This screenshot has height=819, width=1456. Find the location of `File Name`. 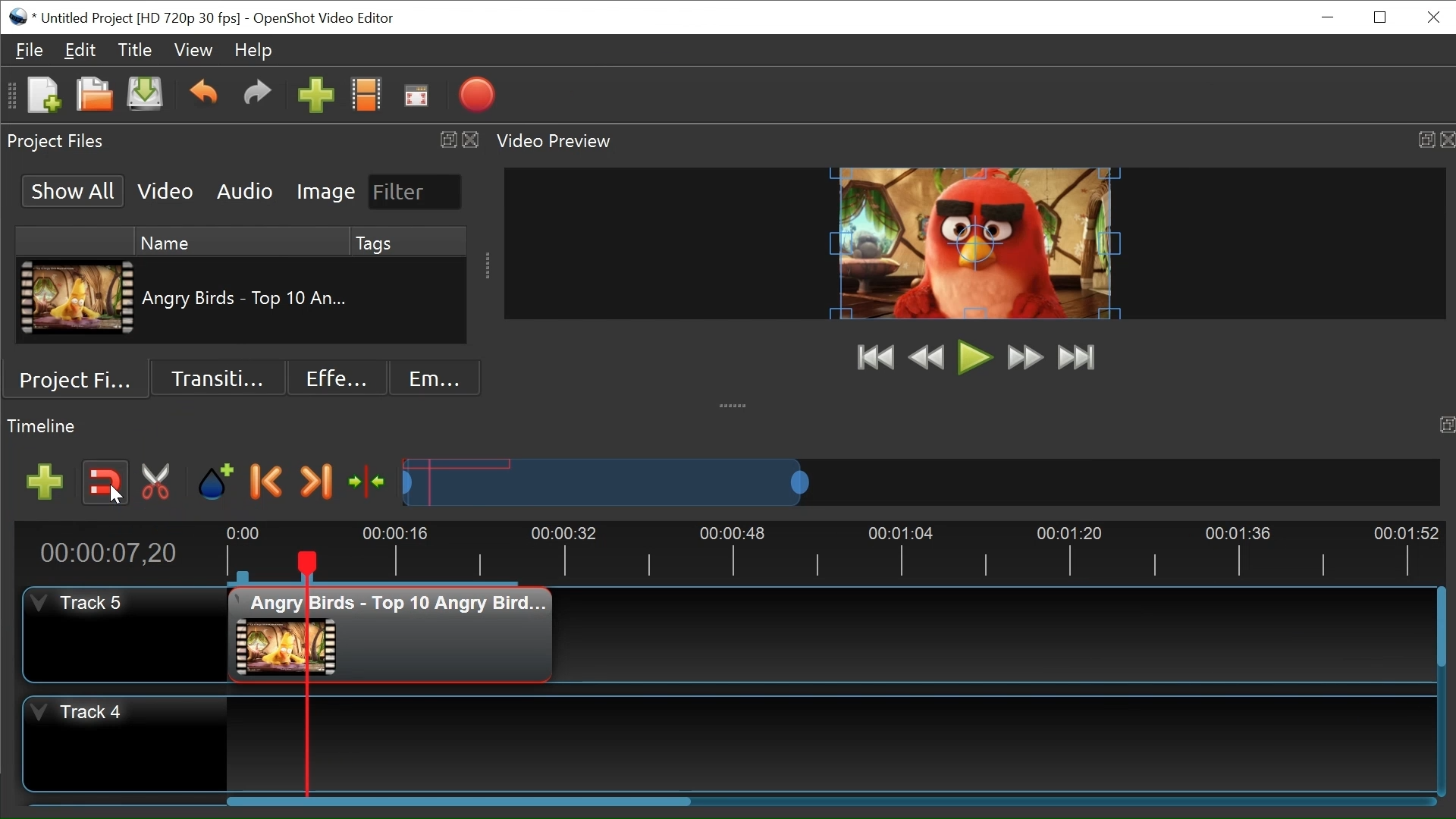

File Name is located at coordinates (249, 298).